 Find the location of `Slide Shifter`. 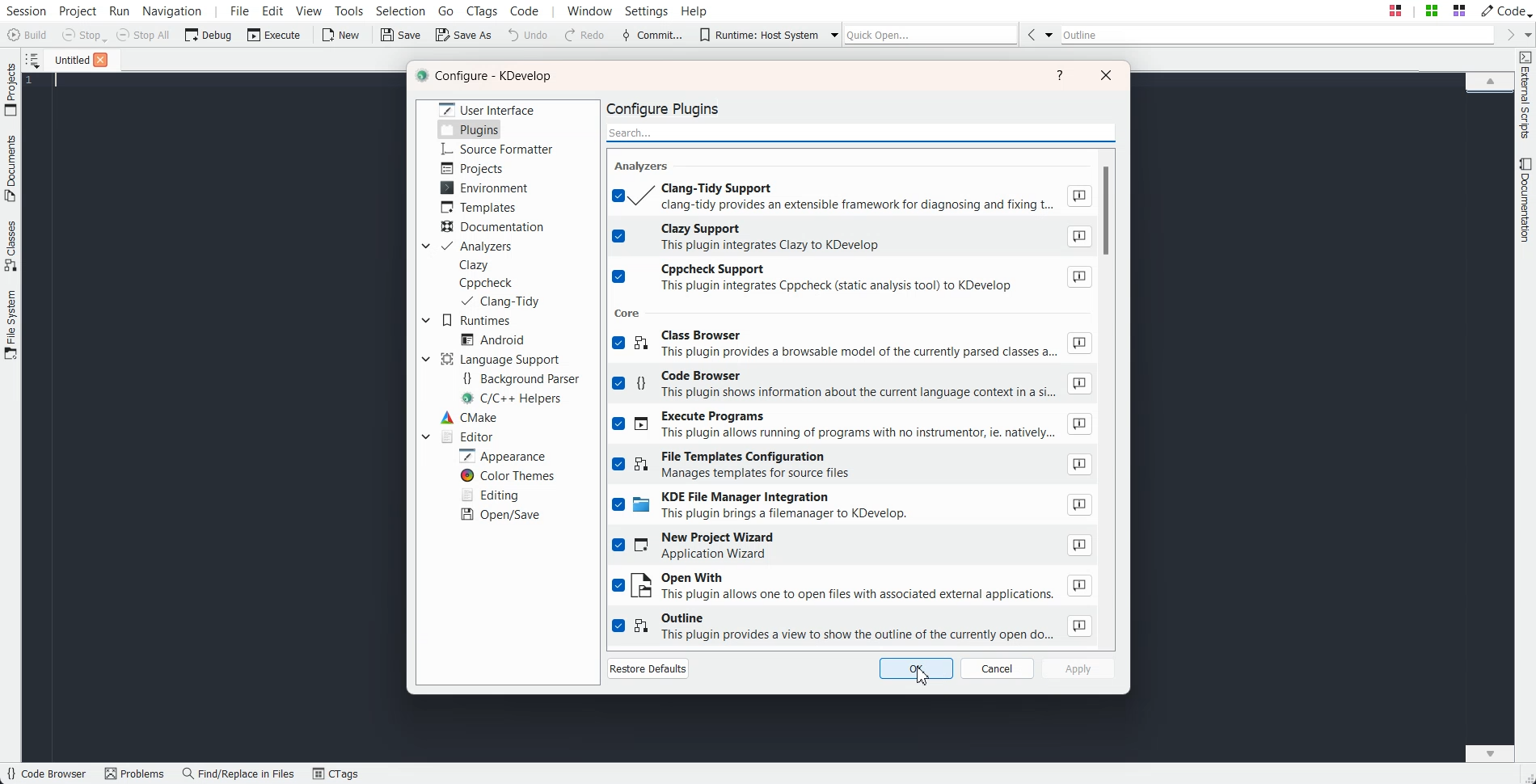

Slide Shifter is located at coordinates (1526, 776).